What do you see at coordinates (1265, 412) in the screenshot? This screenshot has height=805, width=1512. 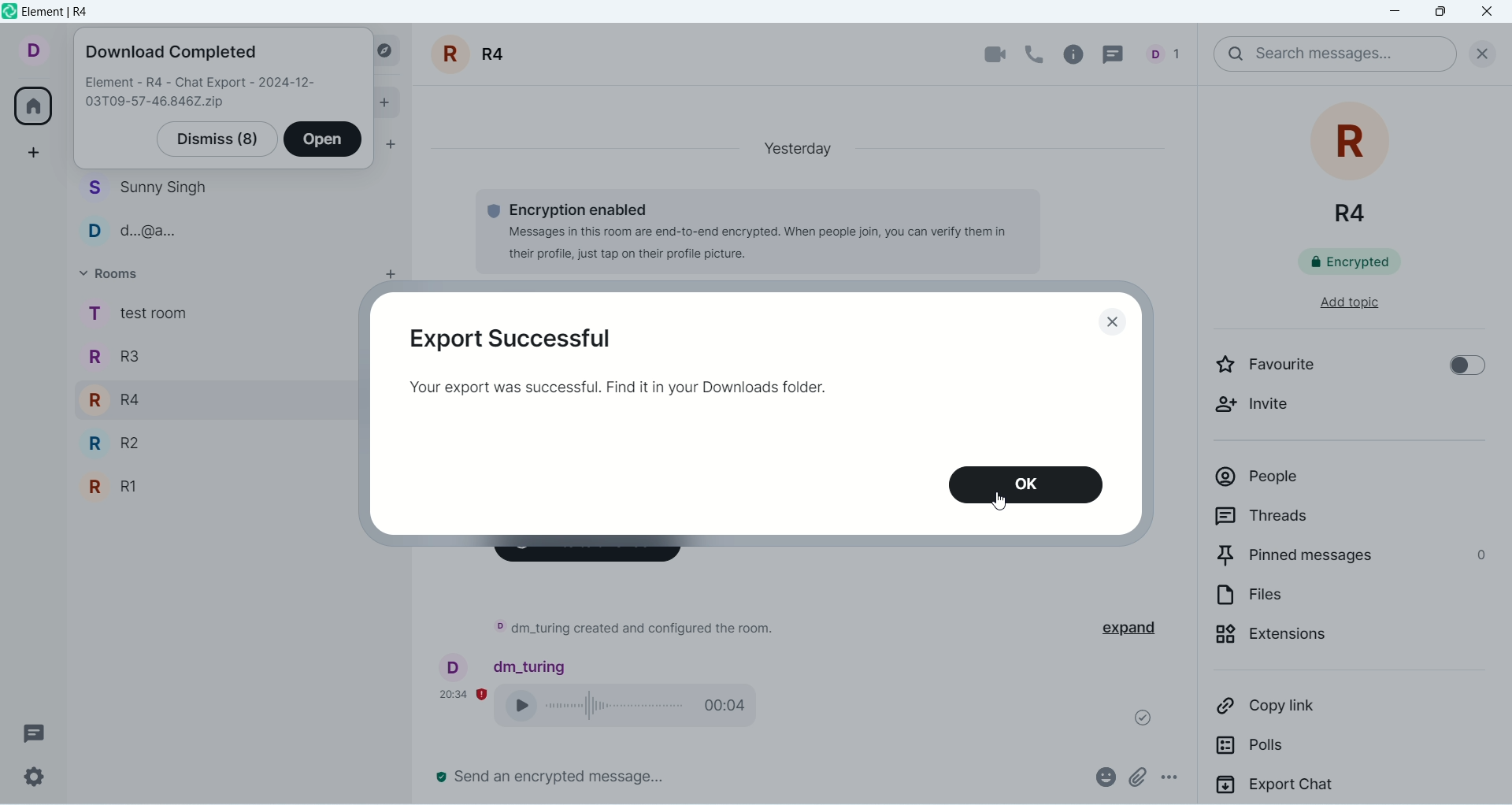 I see `invite` at bounding box center [1265, 412].